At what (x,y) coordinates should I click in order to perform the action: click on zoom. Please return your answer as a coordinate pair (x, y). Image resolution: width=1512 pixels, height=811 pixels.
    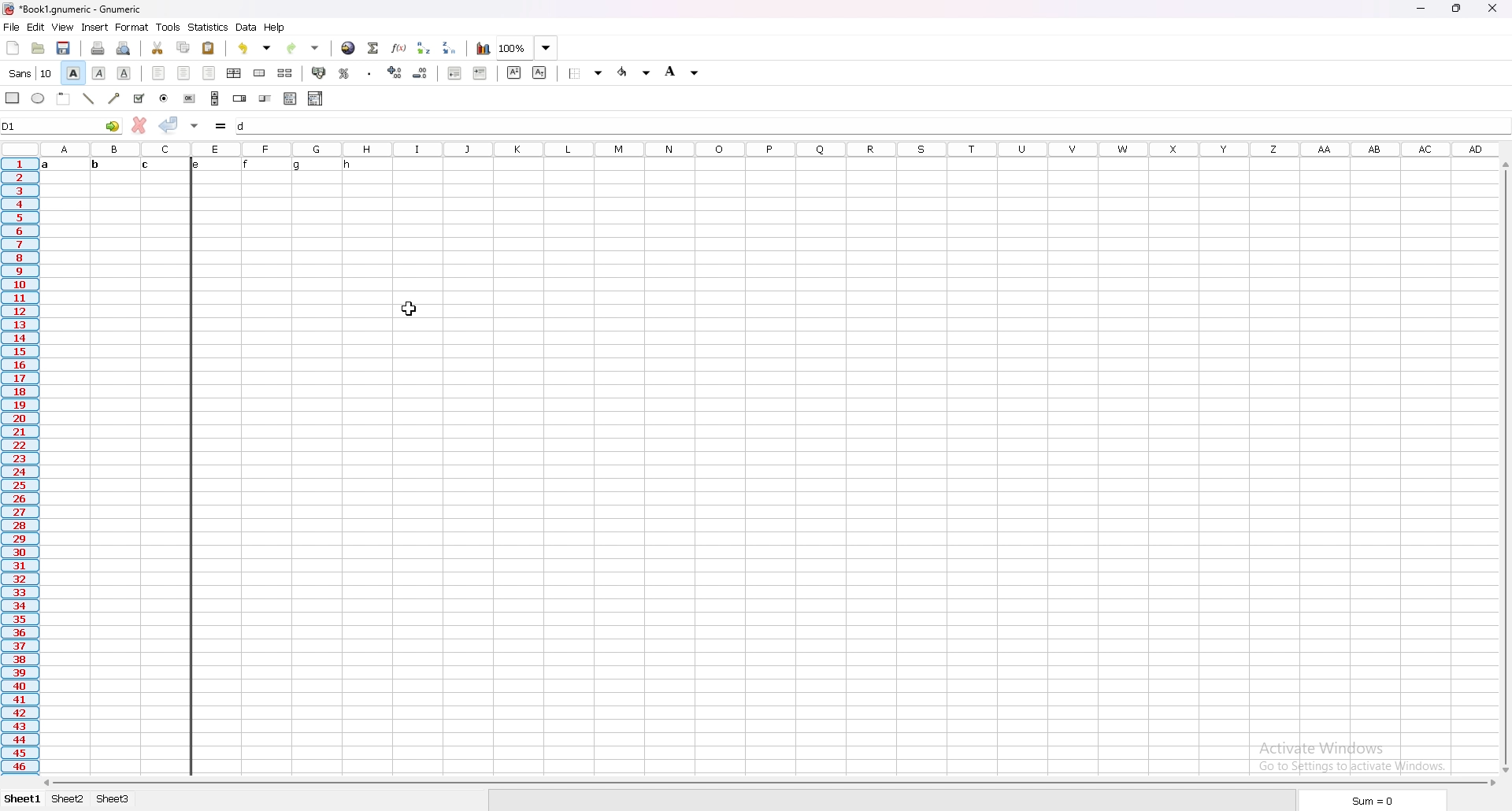
    Looking at the image, I should click on (527, 48).